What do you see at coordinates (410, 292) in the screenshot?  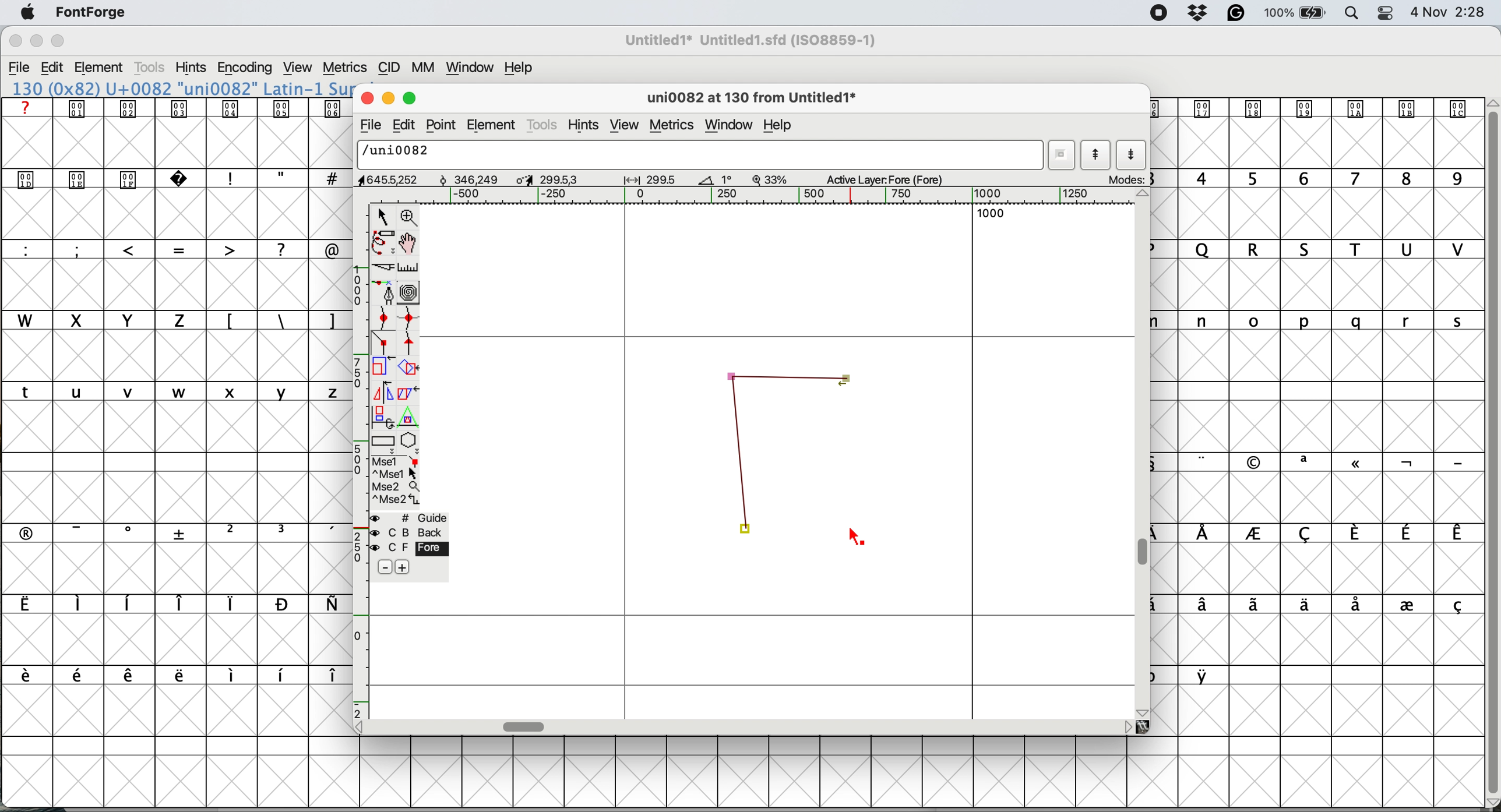 I see `change whether spiro is active or not` at bounding box center [410, 292].